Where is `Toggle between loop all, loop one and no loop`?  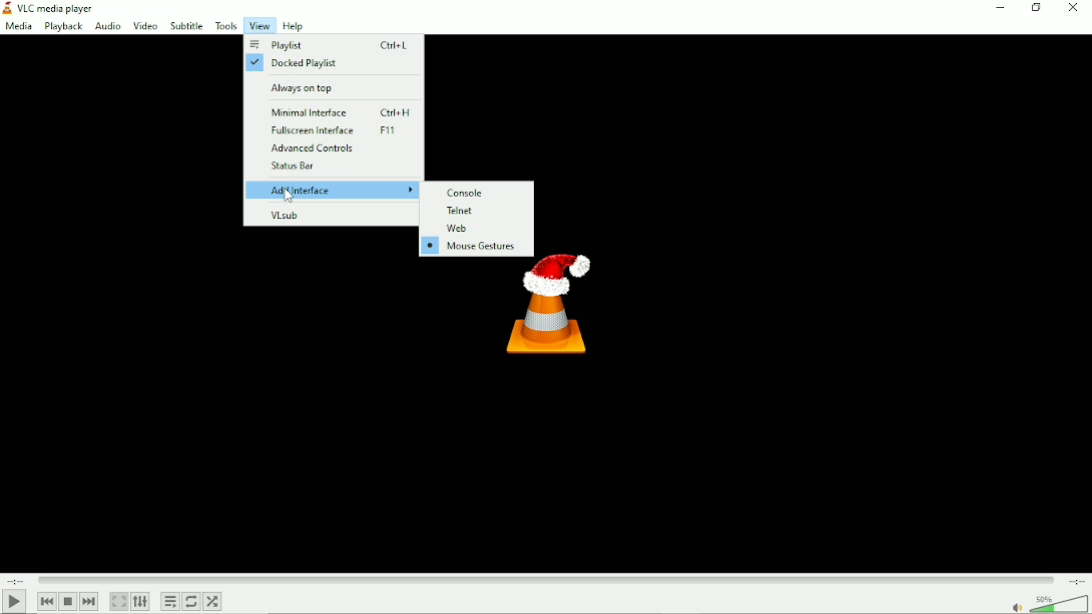
Toggle between loop all, loop one and no loop is located at coordinates (190, 601).